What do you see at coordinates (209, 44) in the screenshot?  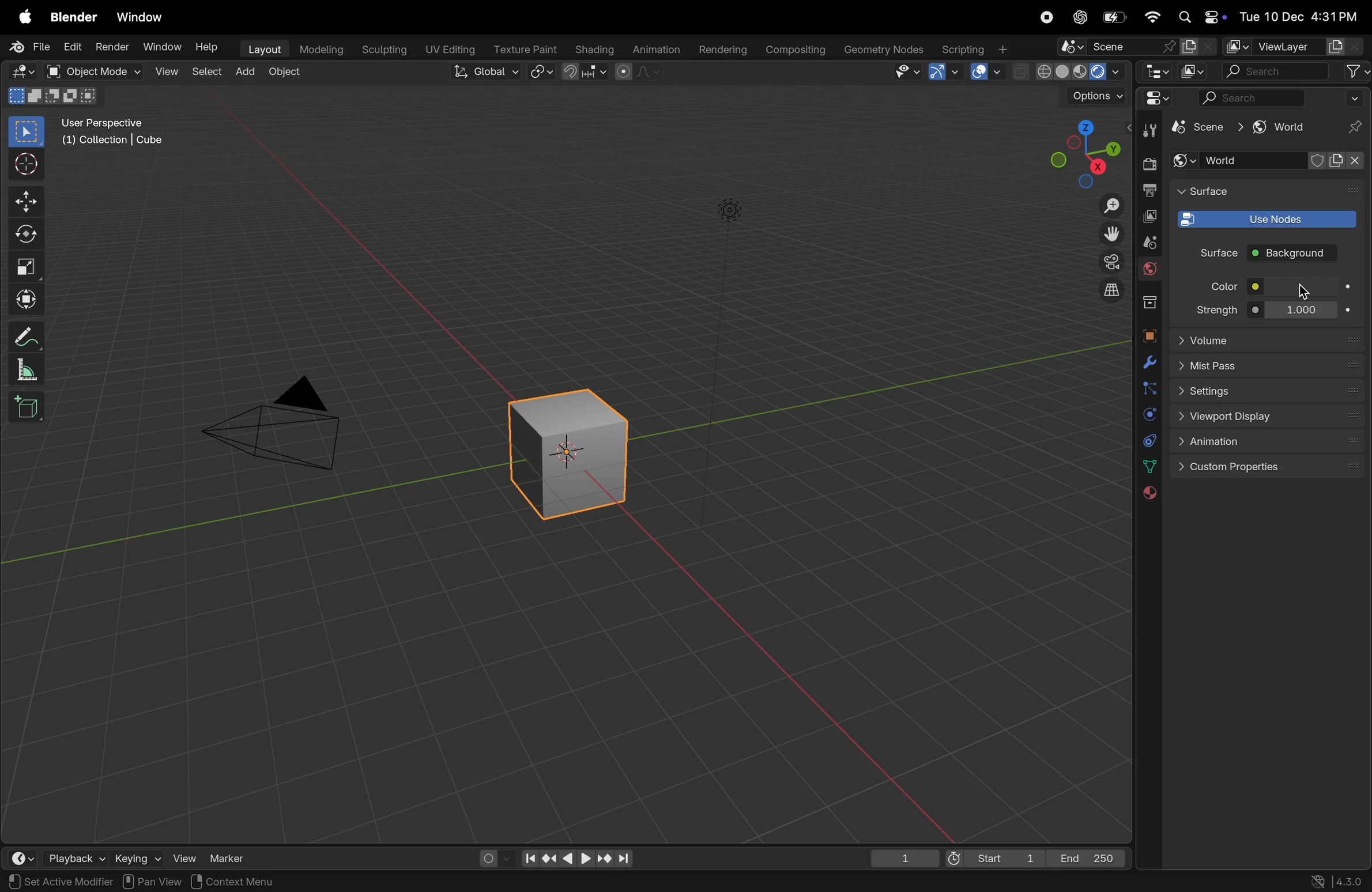 I see `Help` at bounding box center [209, 44].